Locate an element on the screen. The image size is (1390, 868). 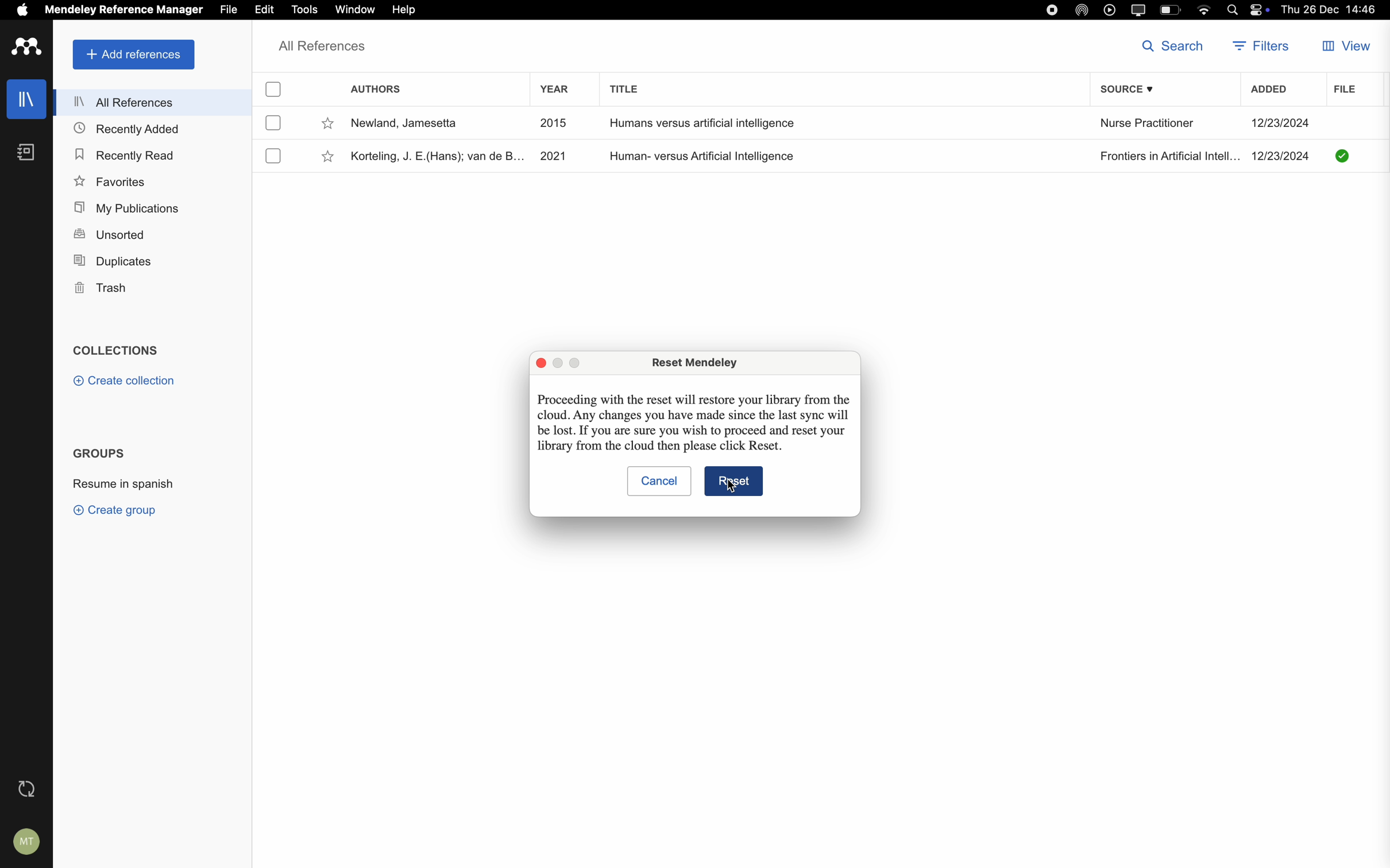
Newland, Jamesetta is located at coordinates (406, 122).